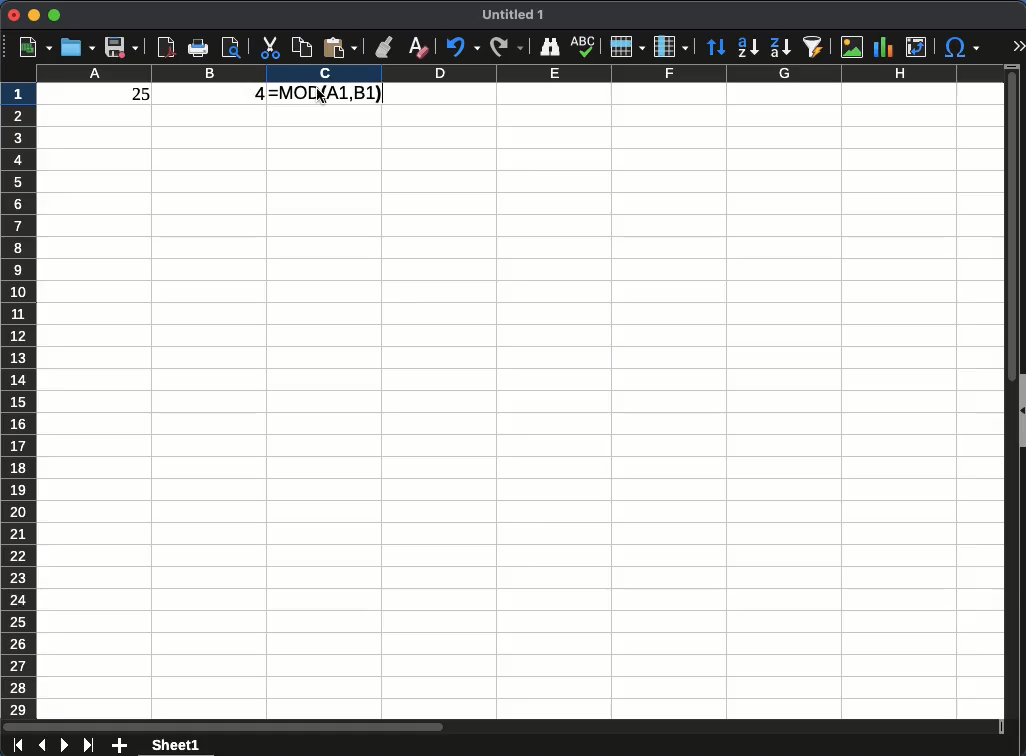  What do you see at coordinates (15, 14) in the screenshot?
I see `close` at bounding box center [15, 14].